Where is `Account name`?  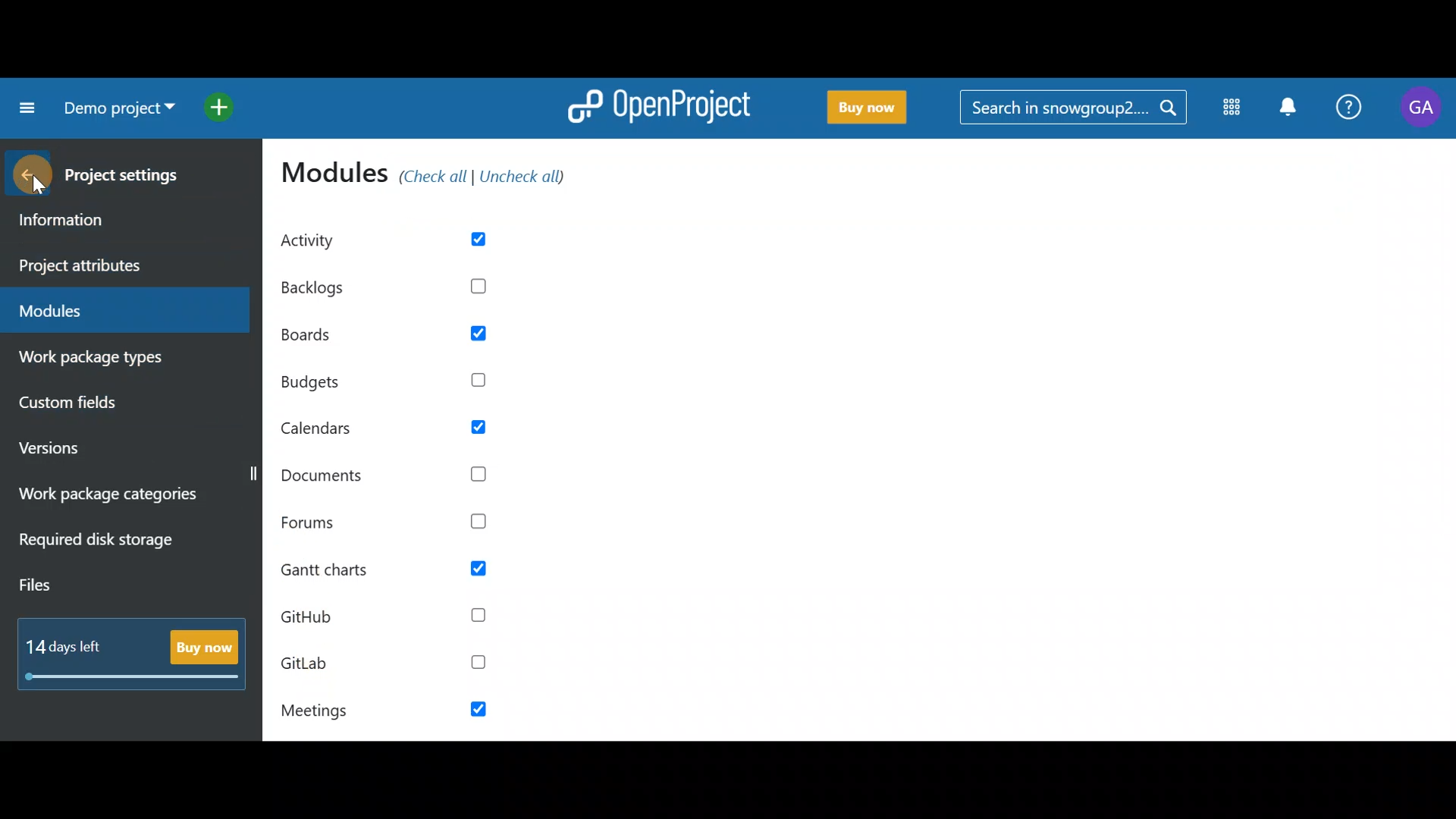
Account name is located at coordinates (1419, 111).